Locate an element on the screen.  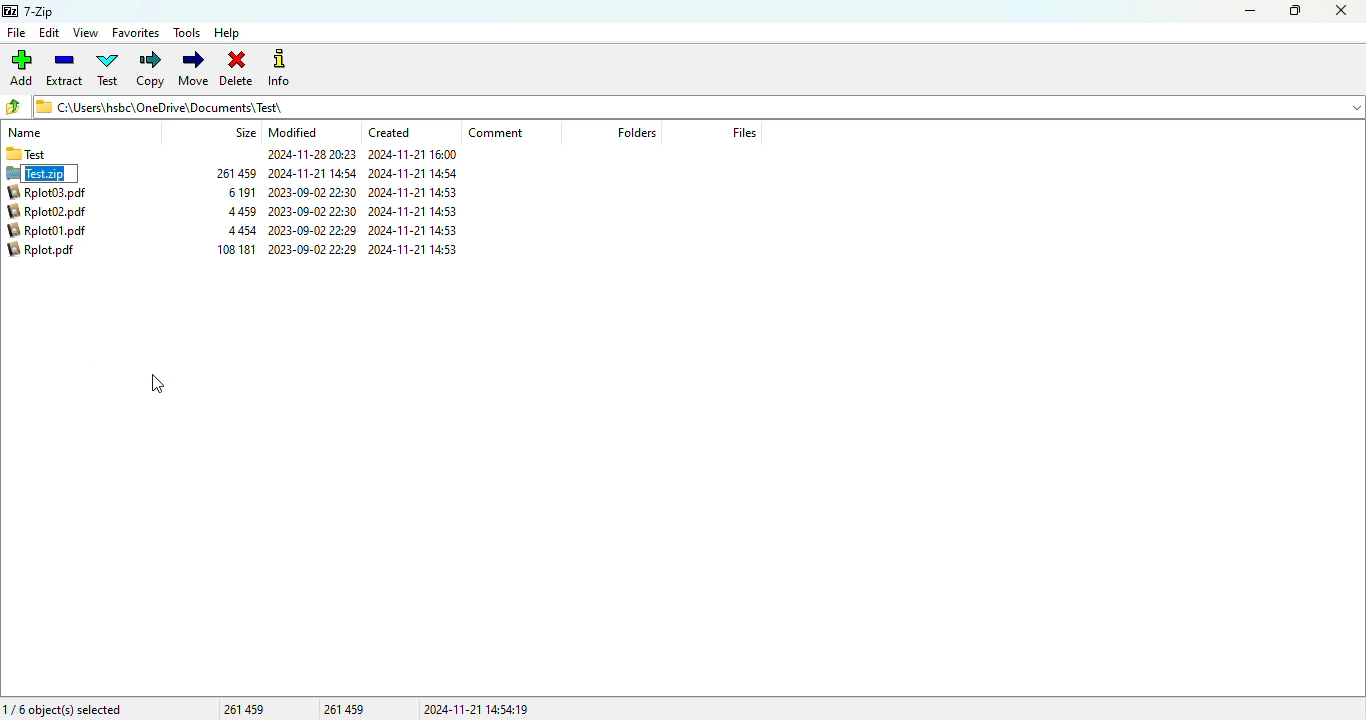
2024-11-21 14:54 is located at coordinates (416, 172).